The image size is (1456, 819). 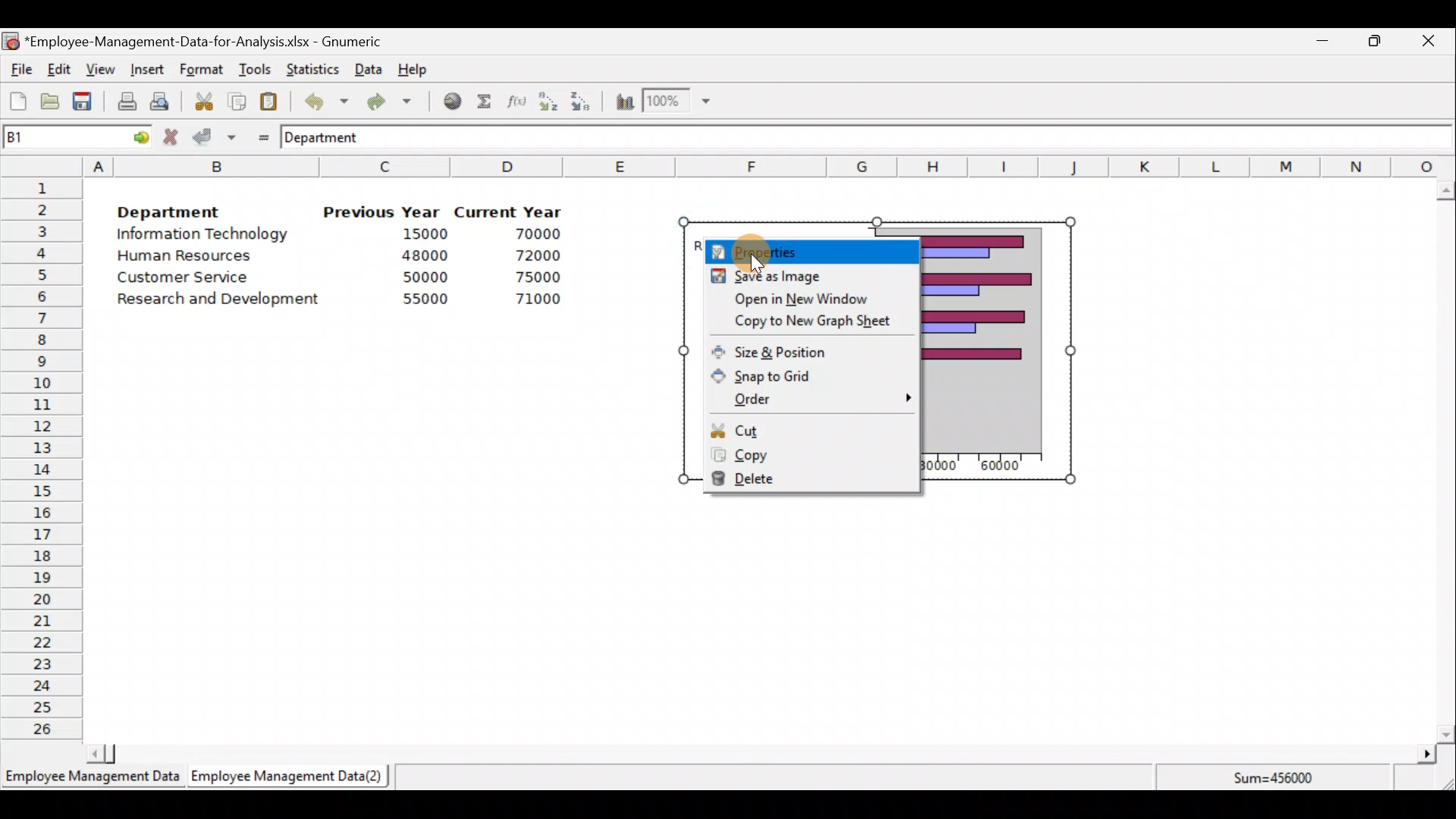 I want to click on Redo undone action, so click(x=386, y=102).